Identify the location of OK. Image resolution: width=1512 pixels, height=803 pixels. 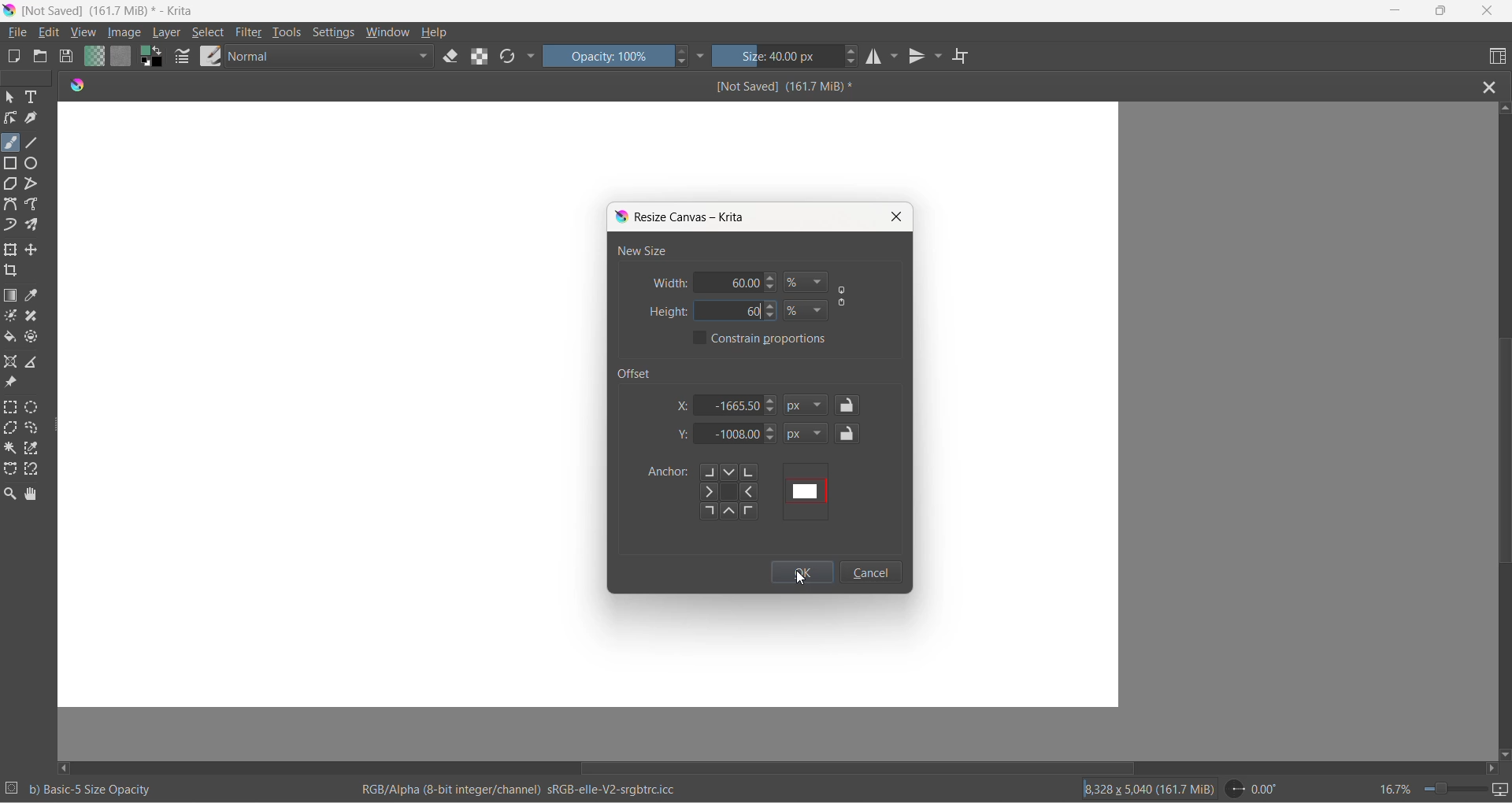
(801, 572).